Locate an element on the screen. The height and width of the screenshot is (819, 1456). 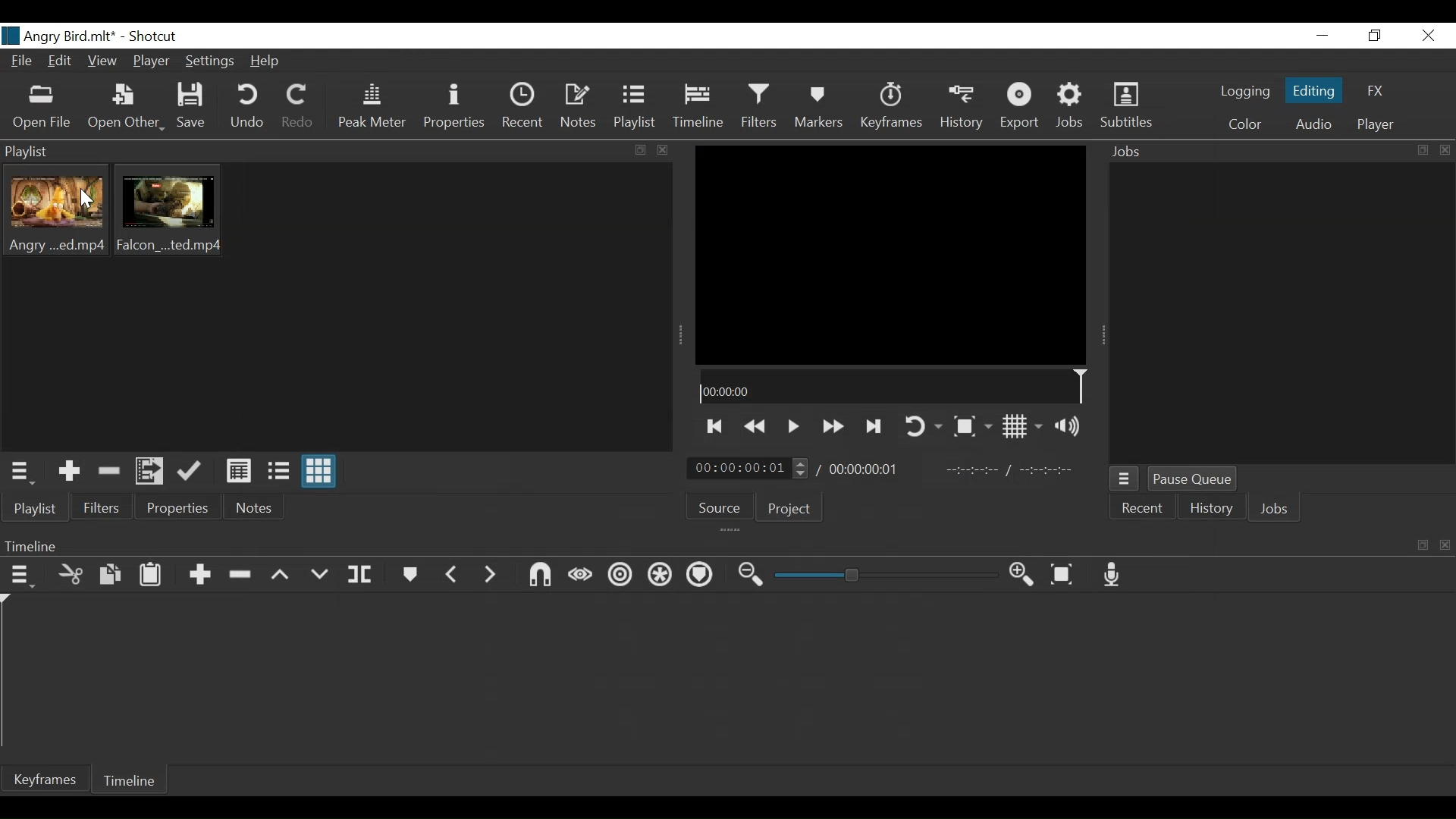
Editing is located at coordinates (1317, 89).